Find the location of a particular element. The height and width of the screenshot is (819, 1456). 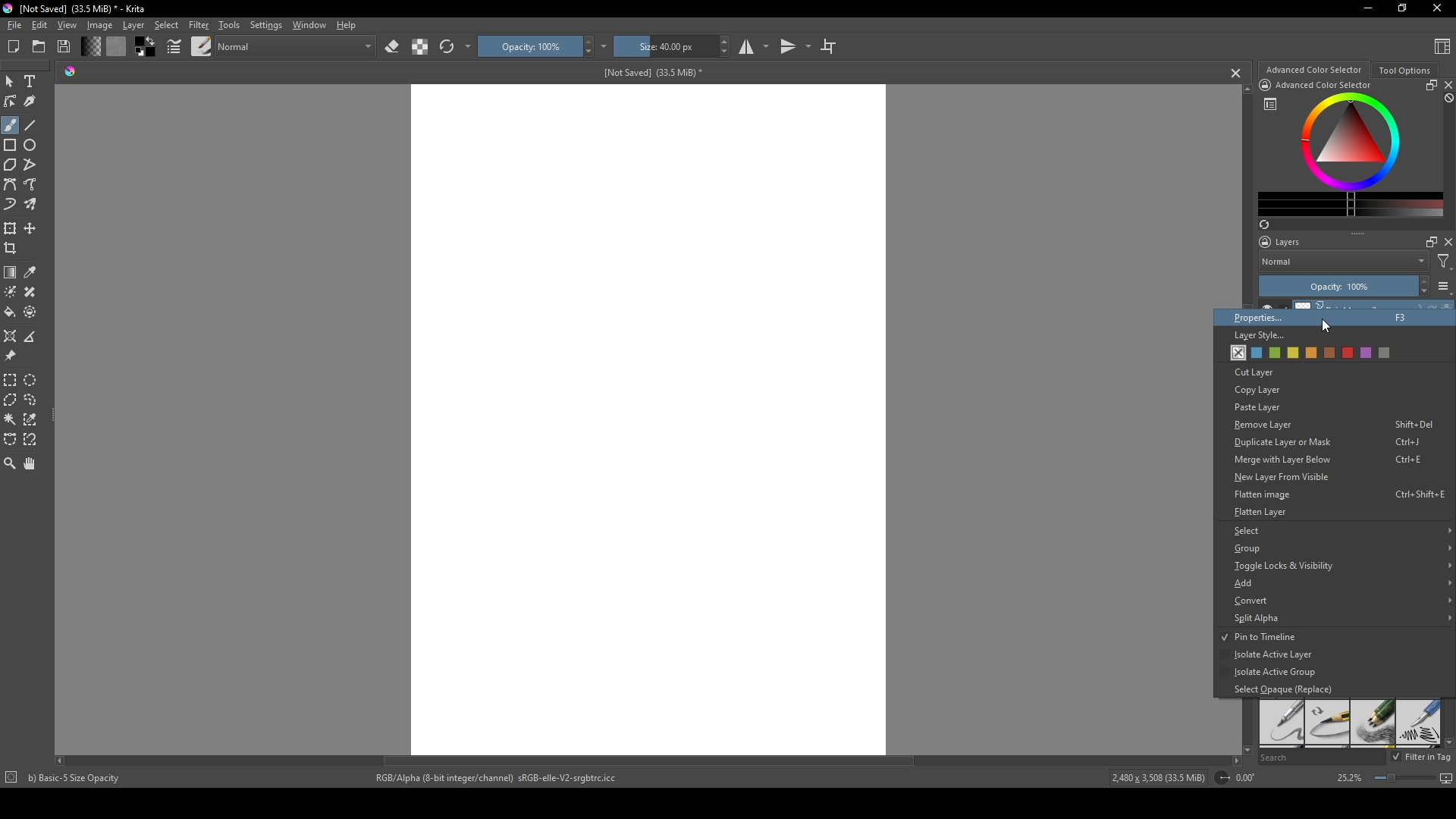

transitions is located at coordinates (795, 47).